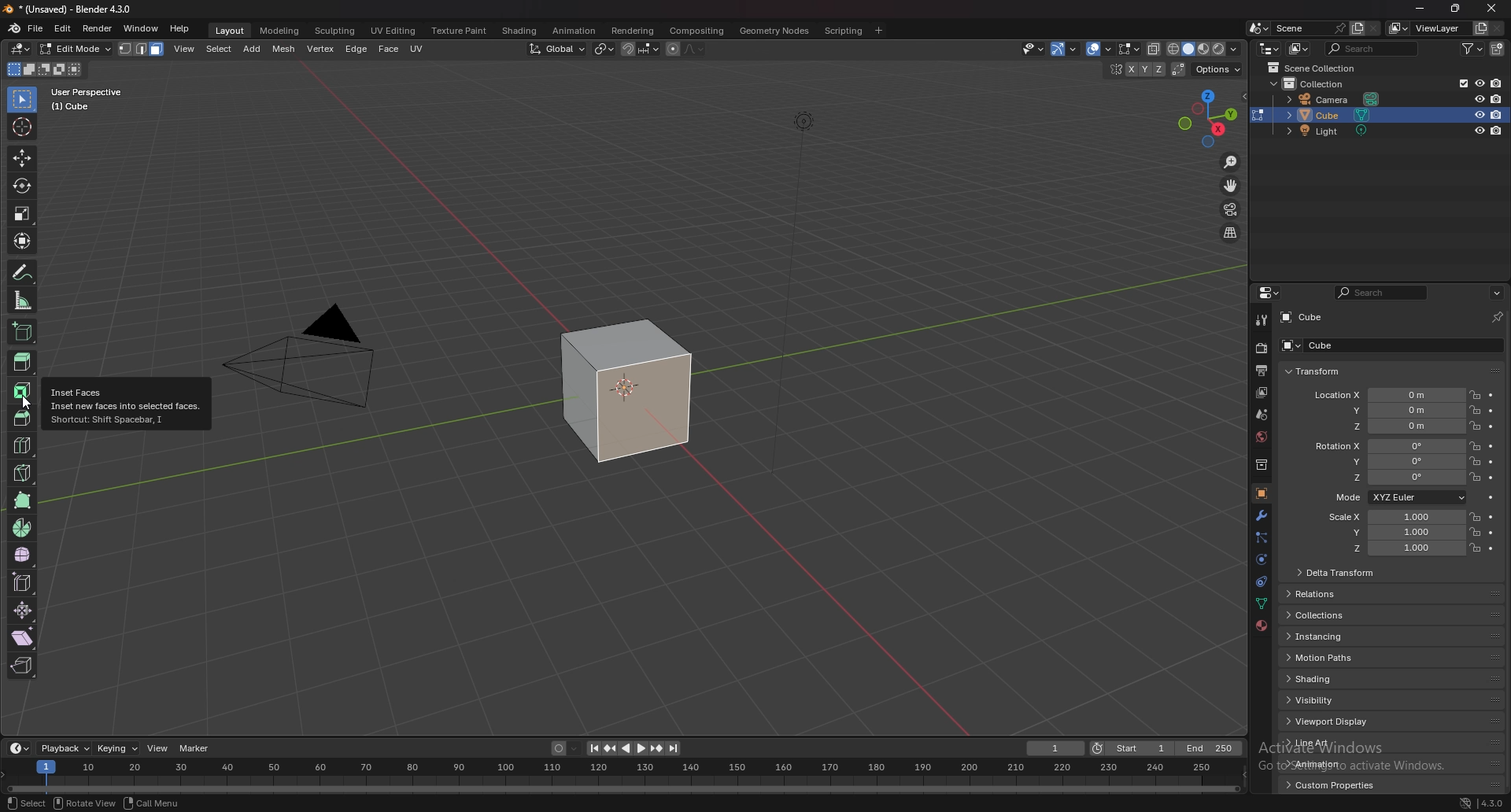 This screenshot has height=812, width=1511. I want to click on browse scene, so click(1258, 28).